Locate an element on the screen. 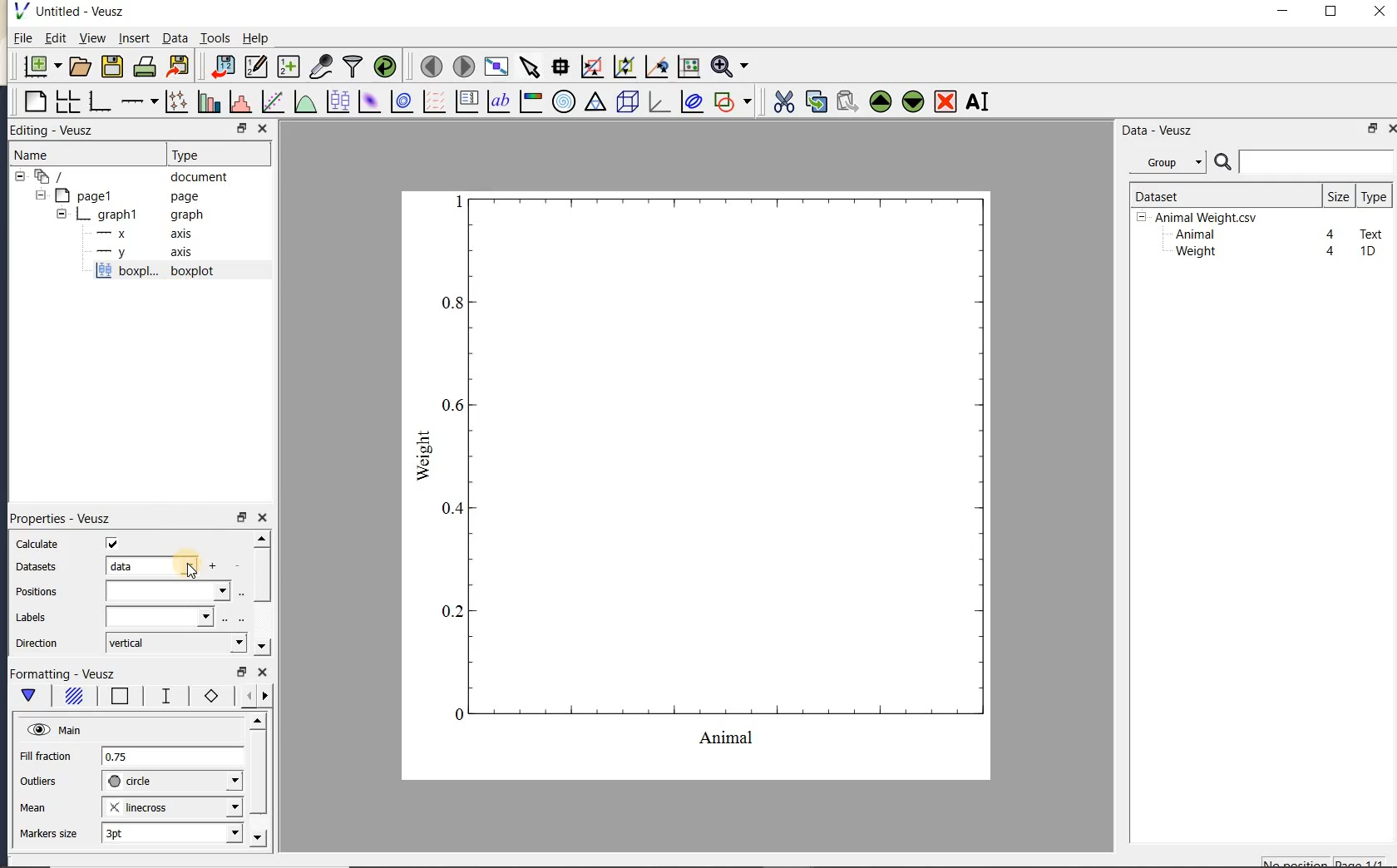  move to the previous page is located at coordinates (428, 65).